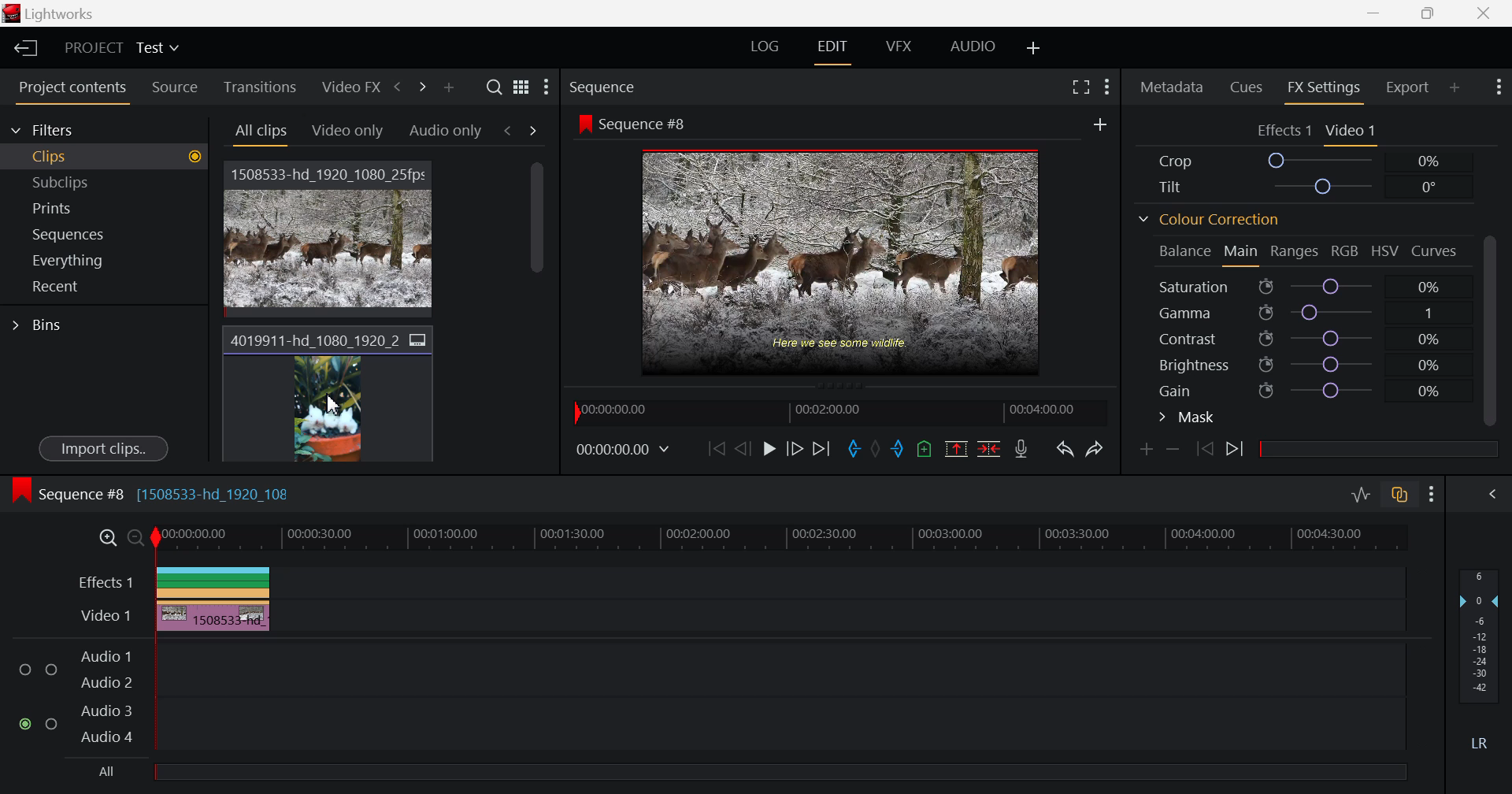  I want to click on FX Settings Tab Open, so click(1323, 88).